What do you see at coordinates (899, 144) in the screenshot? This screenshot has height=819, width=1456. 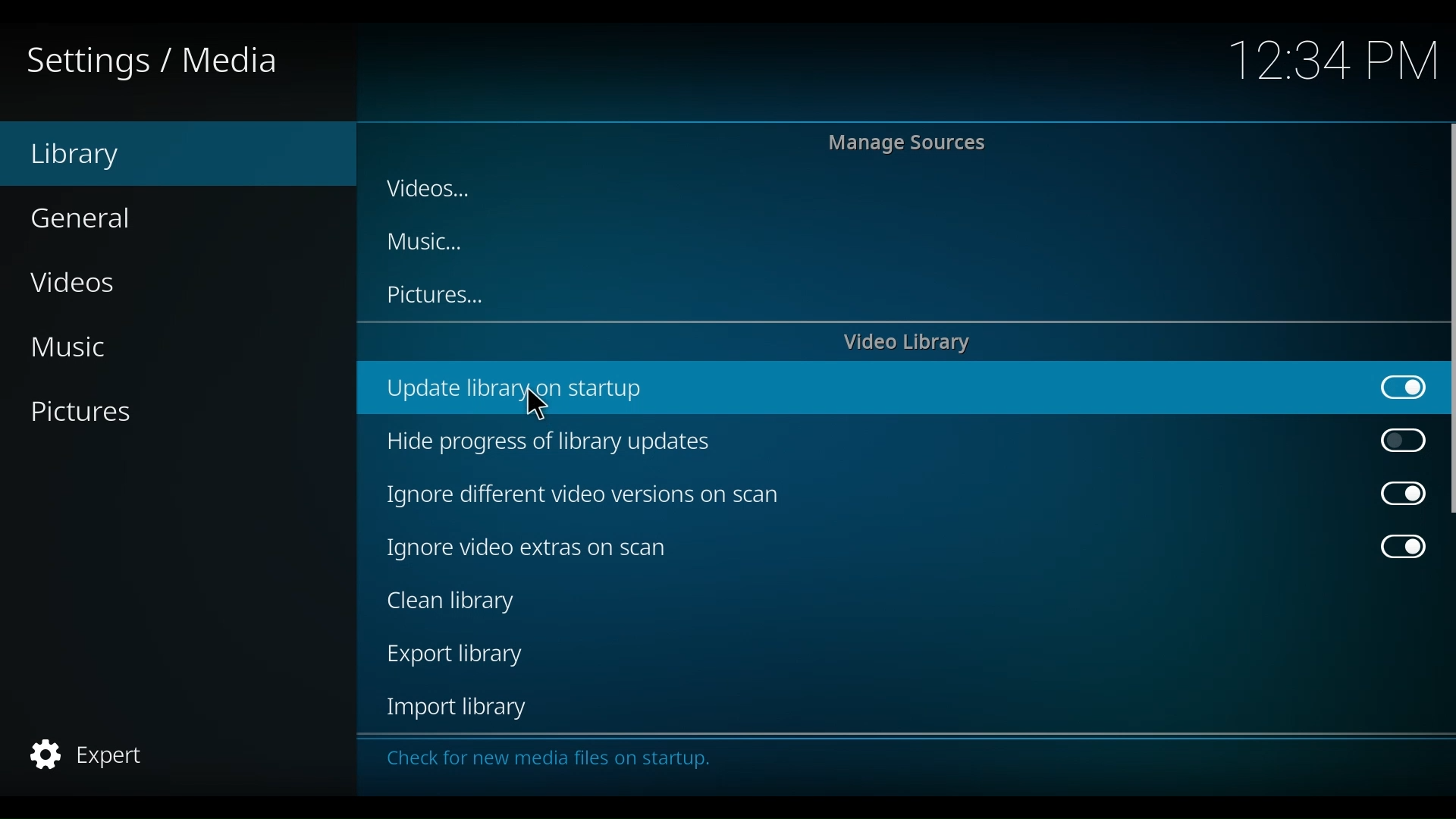 I see `Manage Sources` at bounding box center [899, 144].